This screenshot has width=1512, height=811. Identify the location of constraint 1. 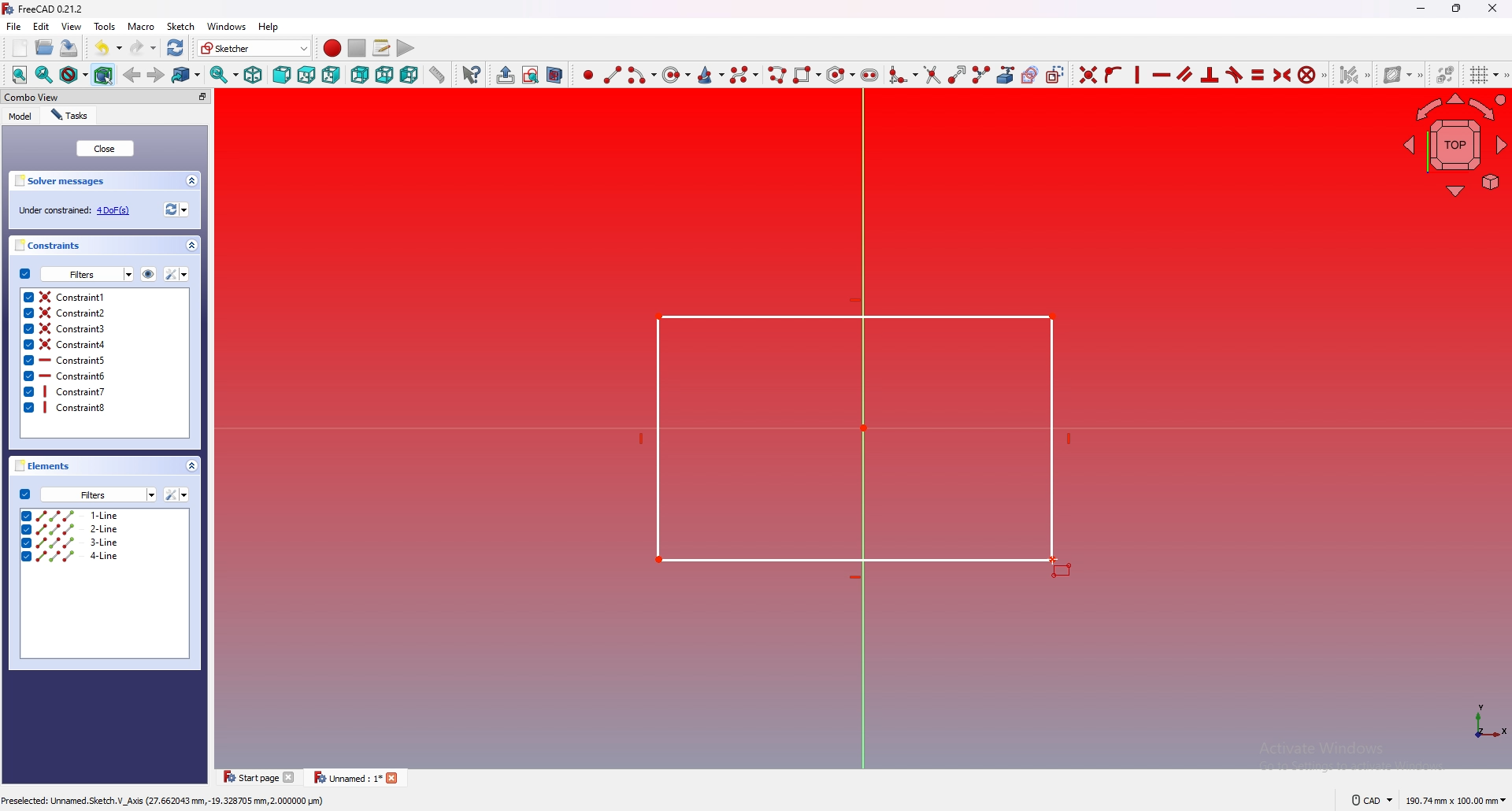
(106, 296).